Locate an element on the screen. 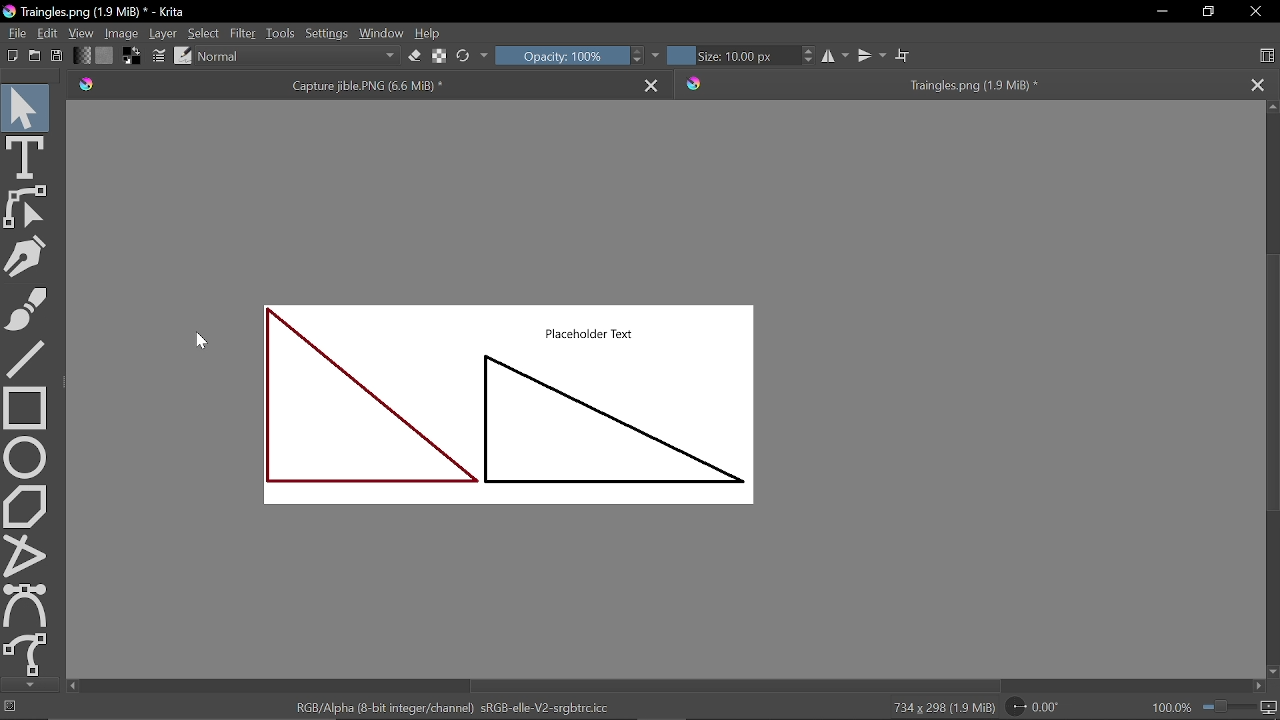 Image resolution: width=1280 pixels, height=720 pixels. Close tab is located at coordinates (1263, 83).